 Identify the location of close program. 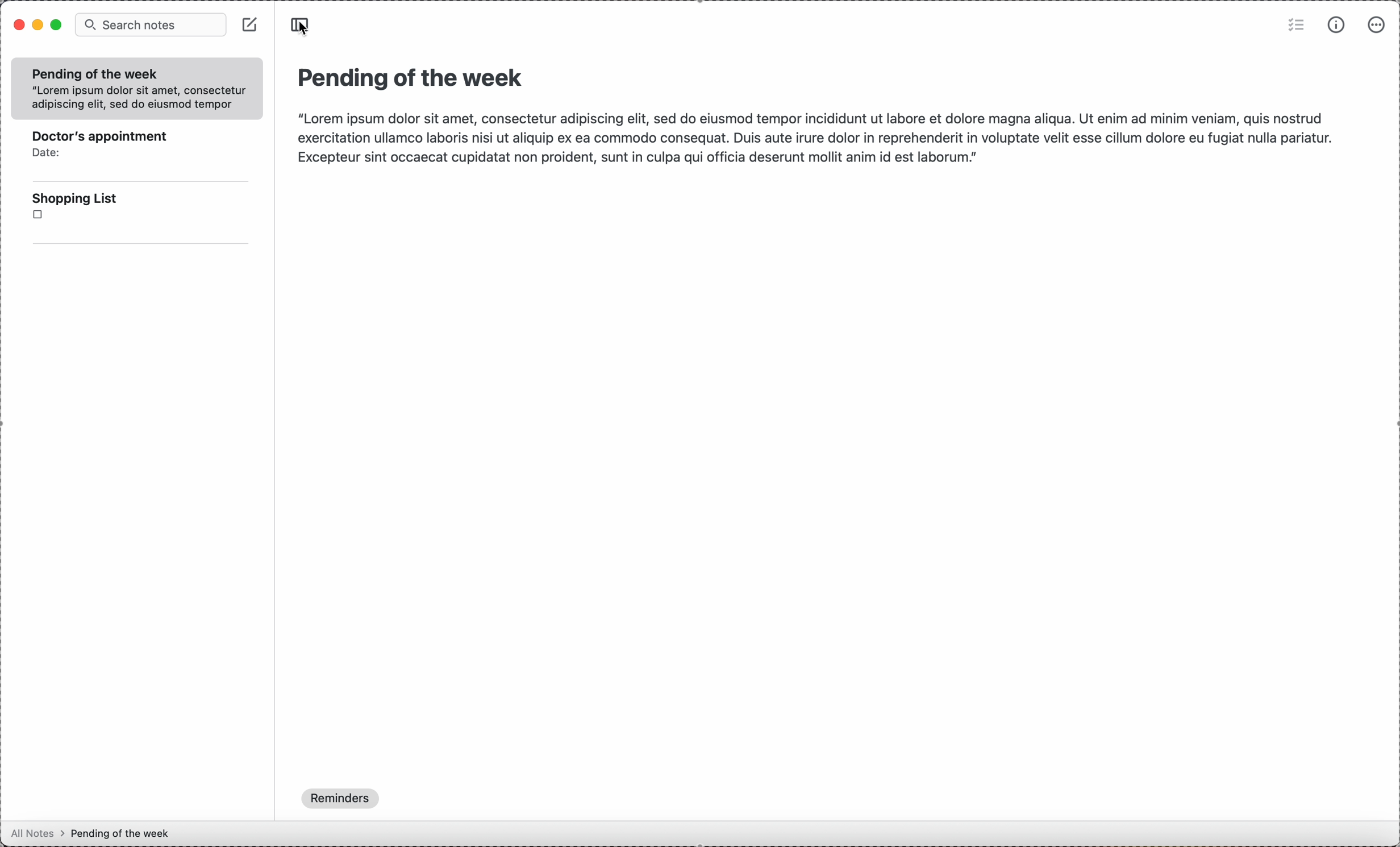
(19, 24).